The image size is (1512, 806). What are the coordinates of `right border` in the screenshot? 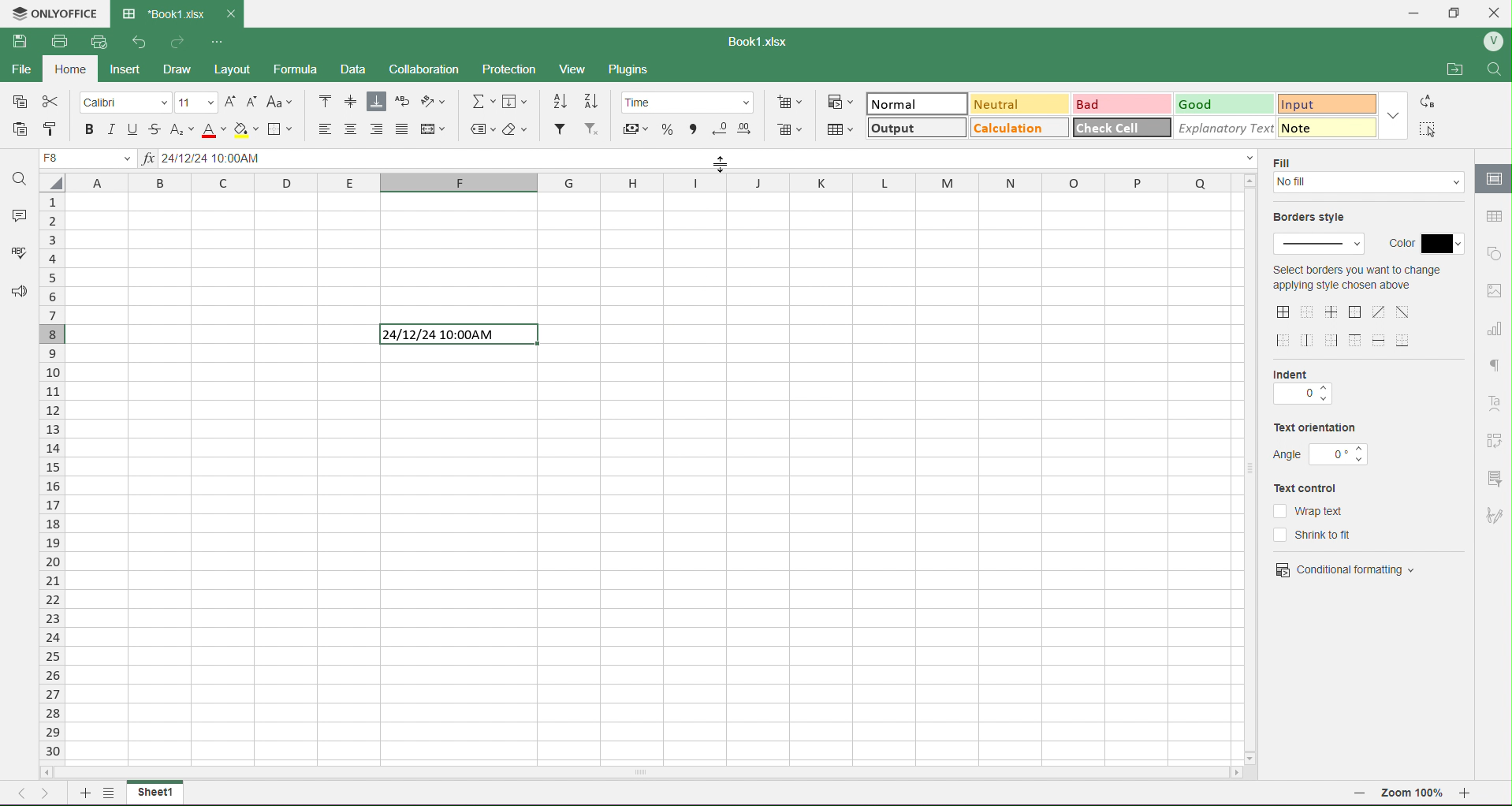 It's located at (1333, 340).